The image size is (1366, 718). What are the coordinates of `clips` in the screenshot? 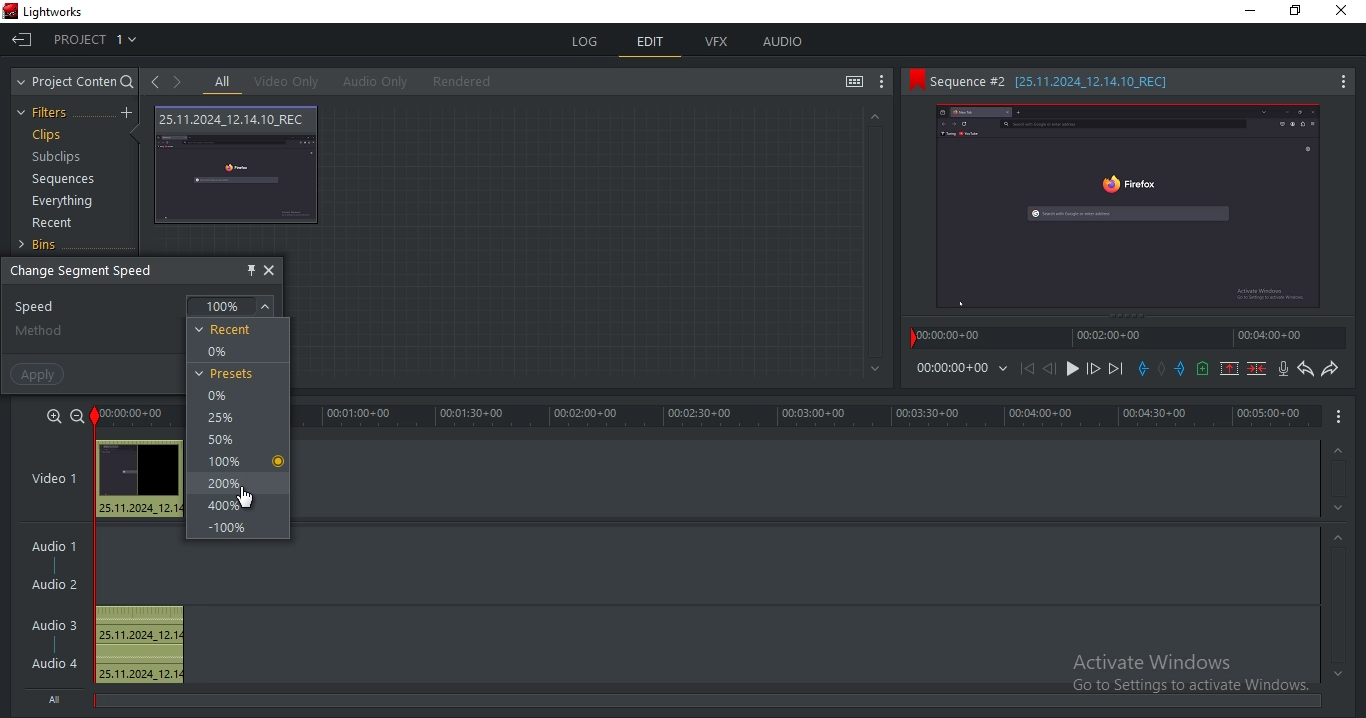 It's located at (50, 136).